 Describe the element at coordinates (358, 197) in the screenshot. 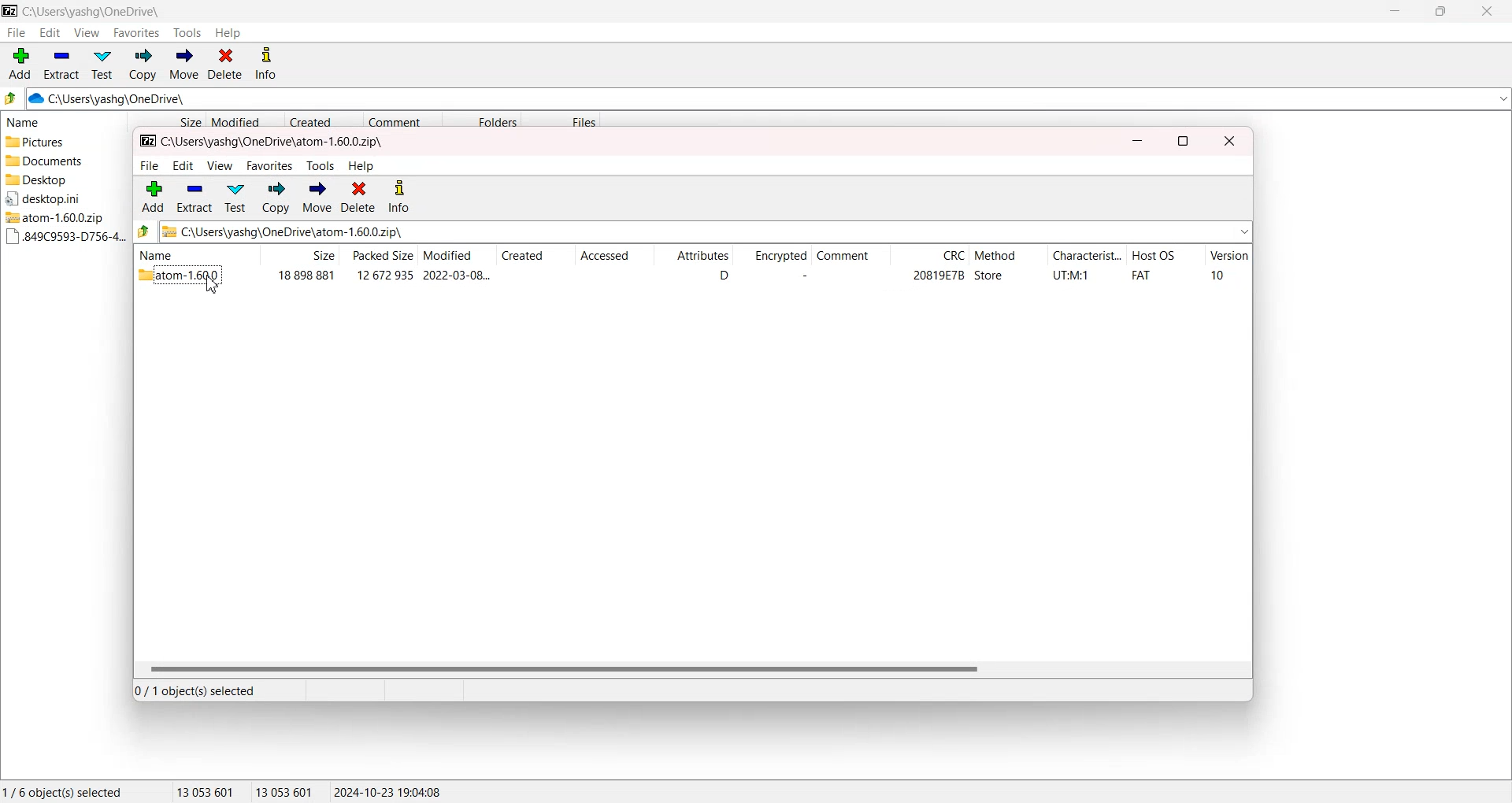

I see `delete` at that location.